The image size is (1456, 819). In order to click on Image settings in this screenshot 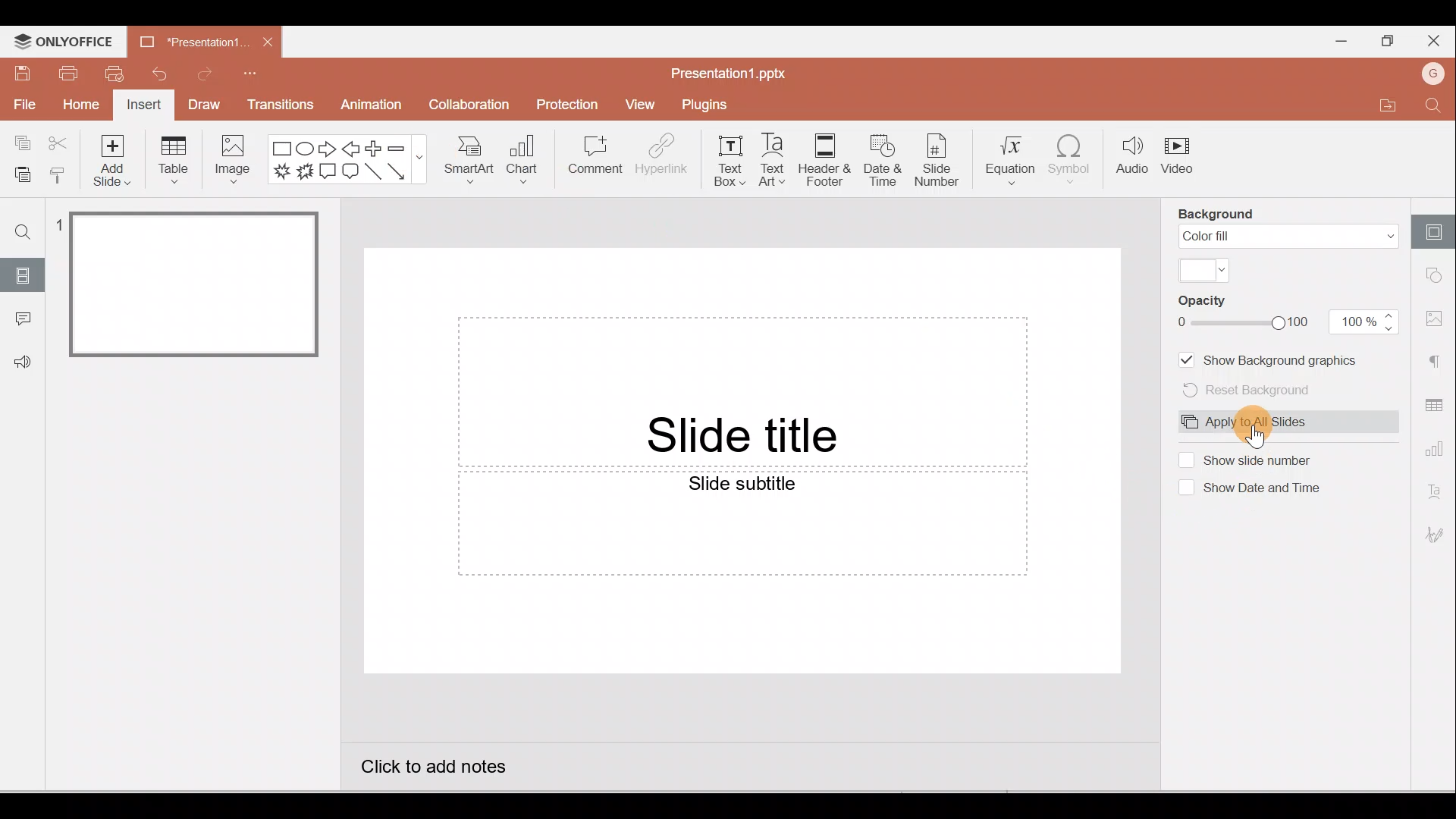, I will do `click(1438, 318)`.